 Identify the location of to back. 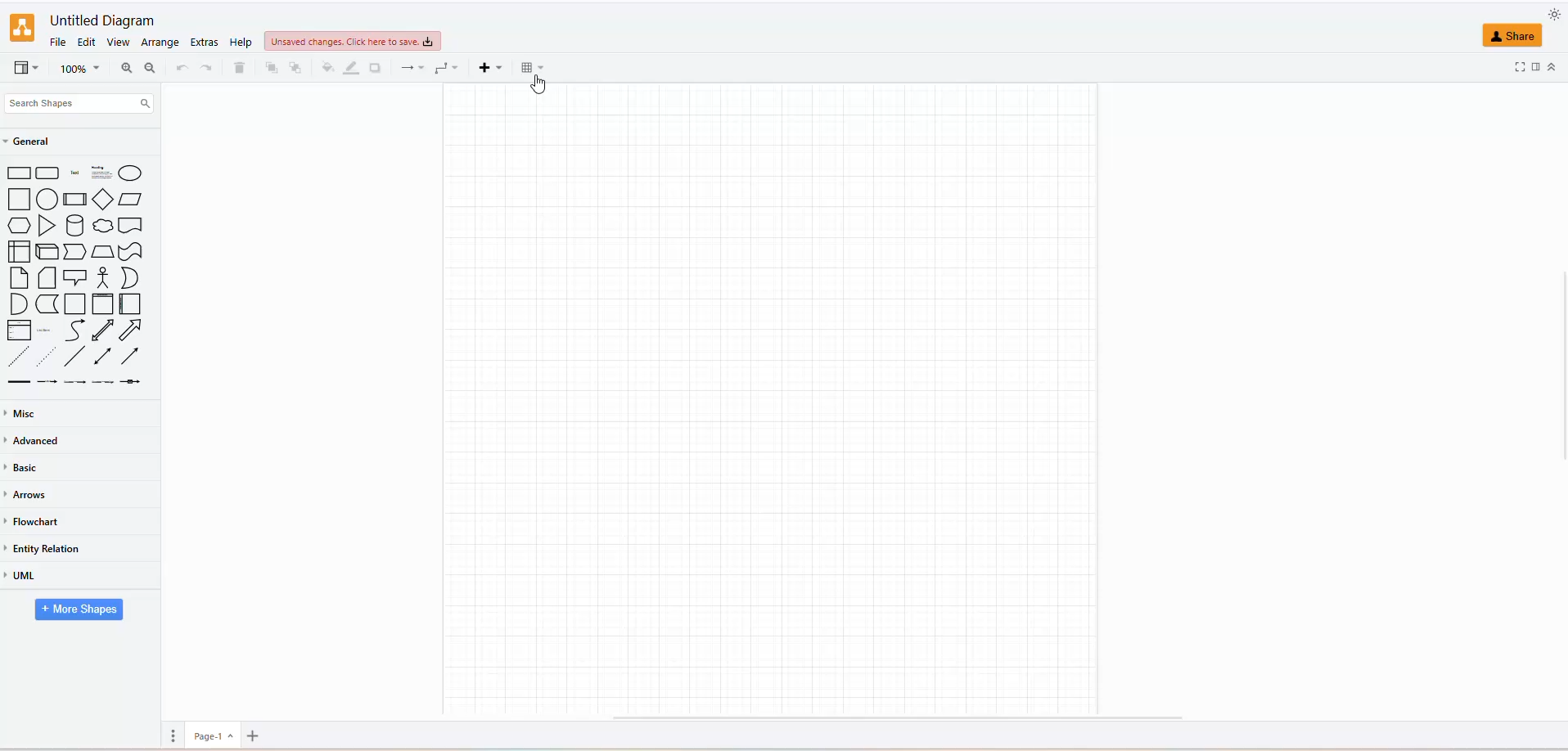
(272, 67).